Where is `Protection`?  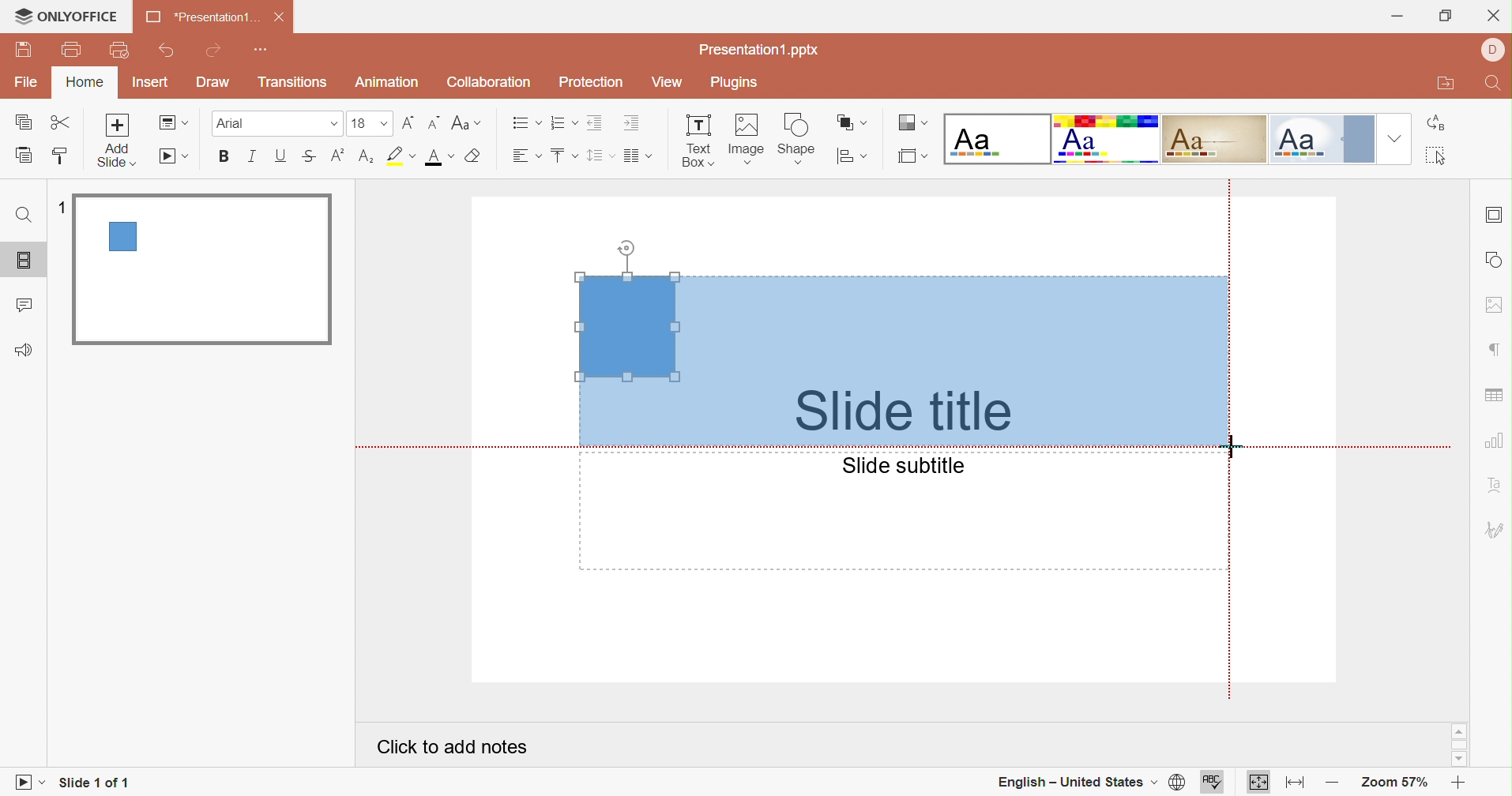
Protection is located at coordinates (592, 82).